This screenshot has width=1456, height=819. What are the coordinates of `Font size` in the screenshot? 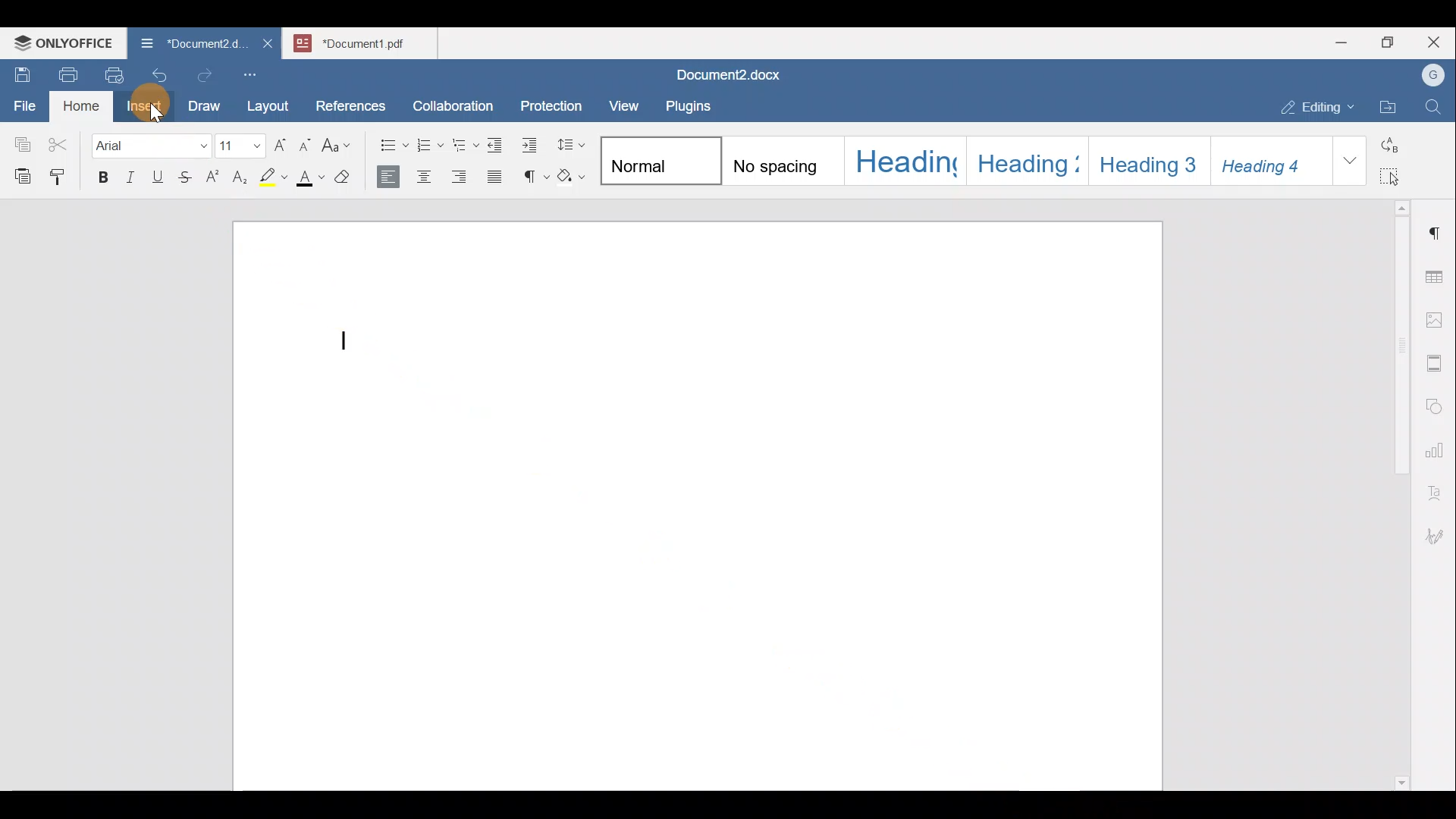 It's located at (242, 146).